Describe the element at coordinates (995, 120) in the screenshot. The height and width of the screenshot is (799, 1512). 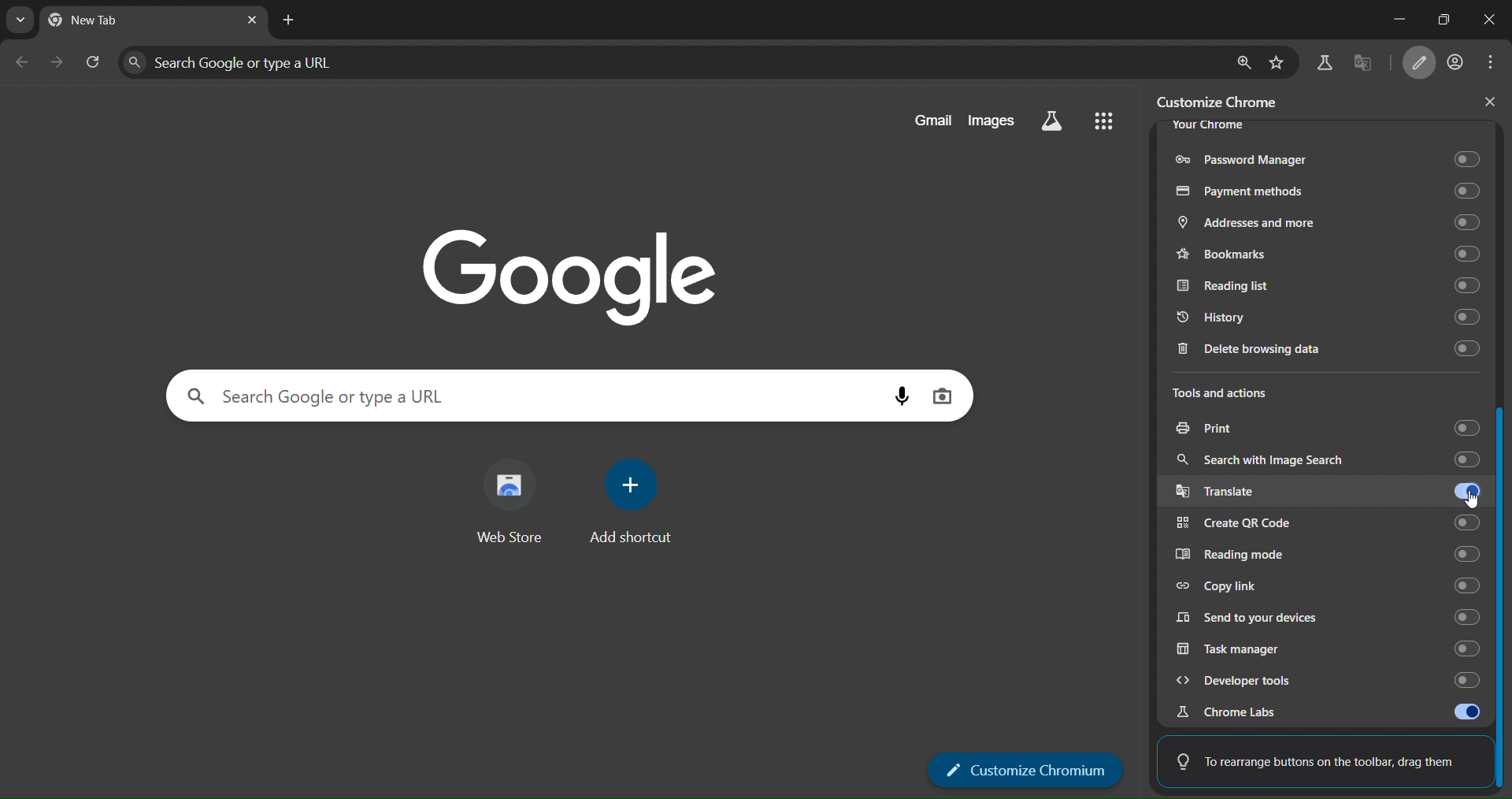
I see `images` at that location.